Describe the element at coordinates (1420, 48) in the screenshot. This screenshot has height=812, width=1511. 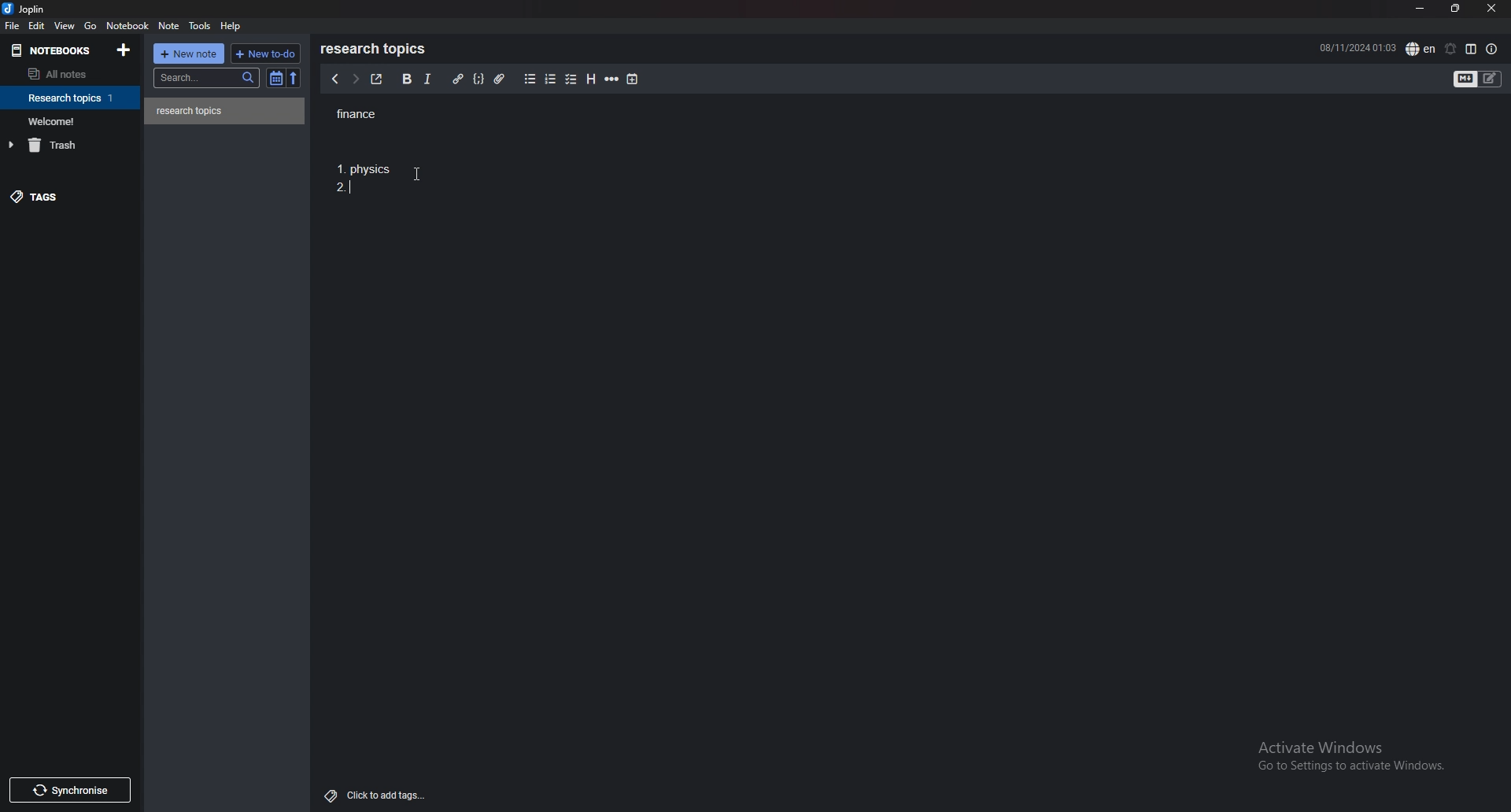
I see `spell check` at that location.